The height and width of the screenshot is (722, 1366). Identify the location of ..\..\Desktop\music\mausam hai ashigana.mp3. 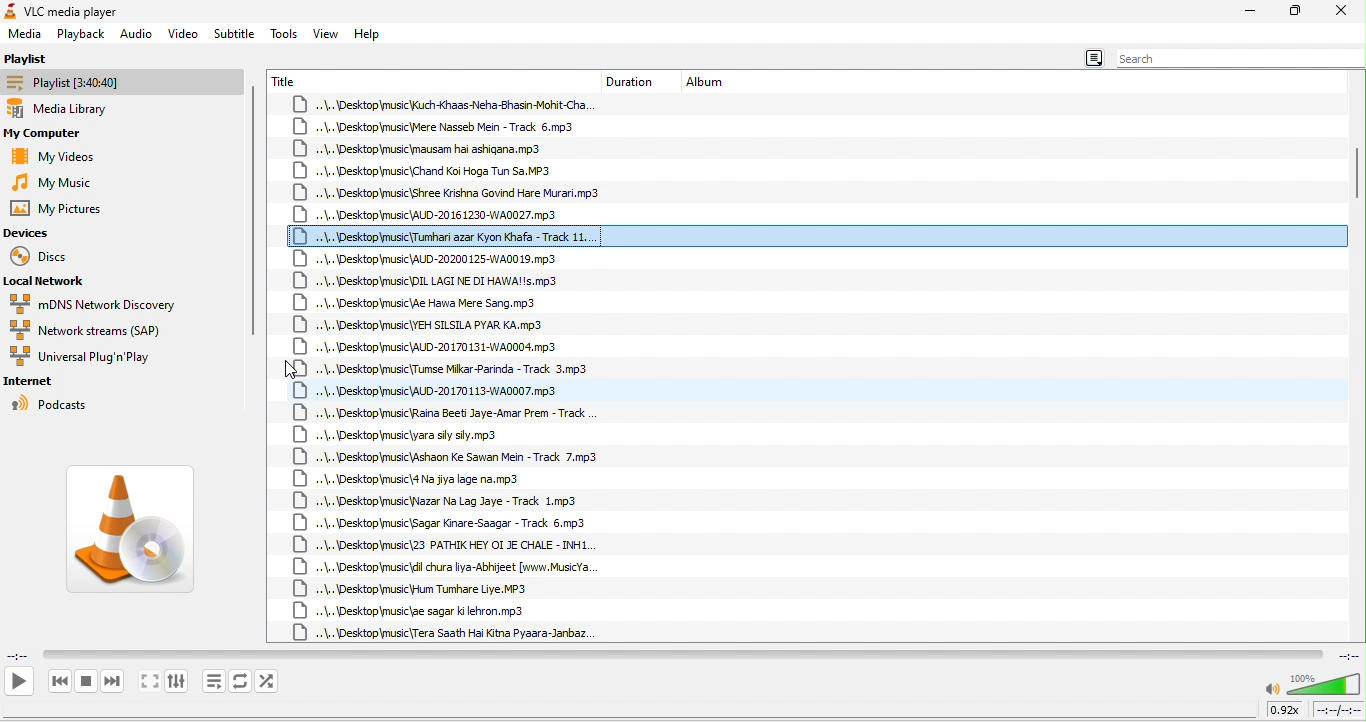
(435, 147).